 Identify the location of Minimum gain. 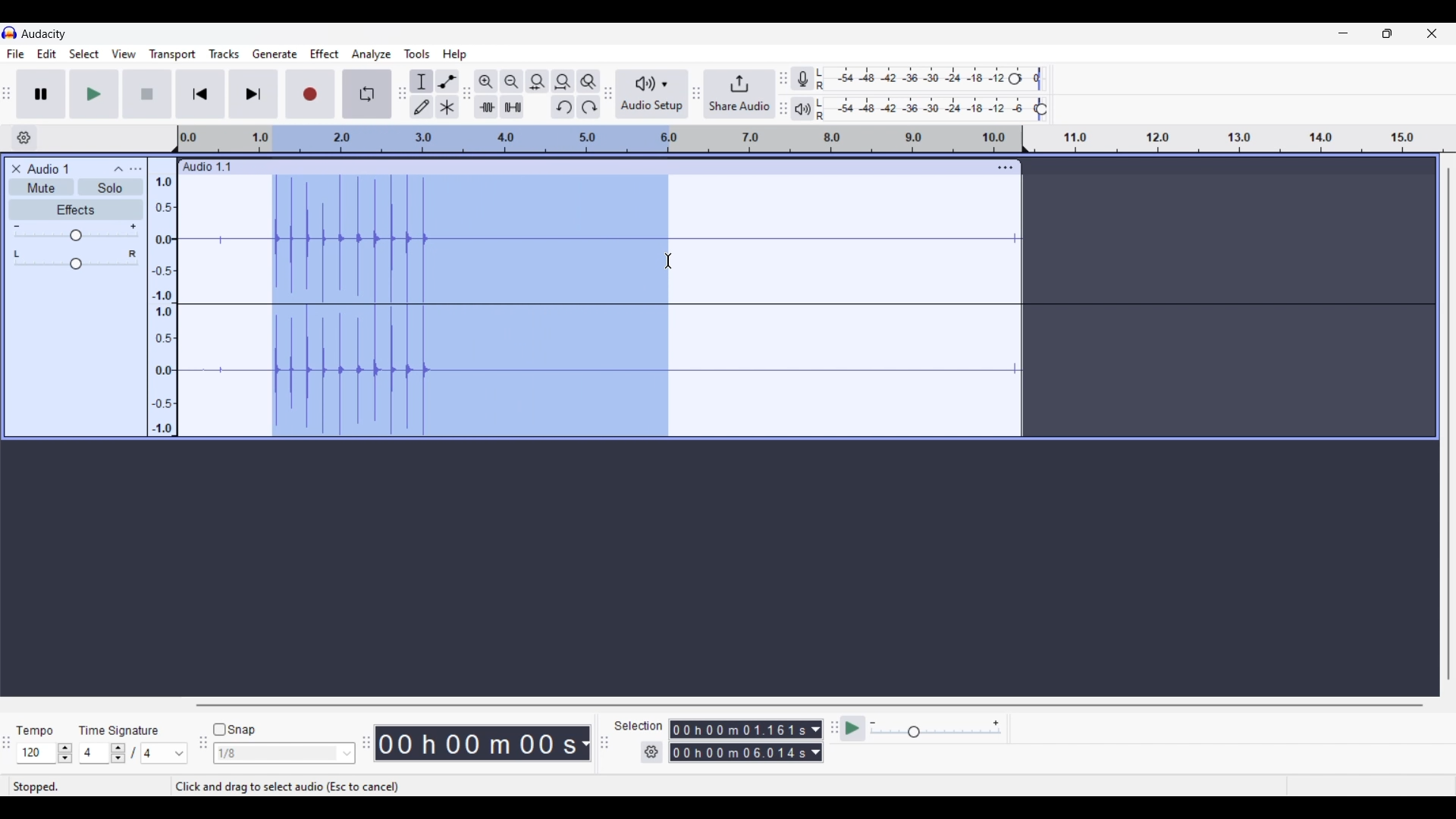
(16, 226).